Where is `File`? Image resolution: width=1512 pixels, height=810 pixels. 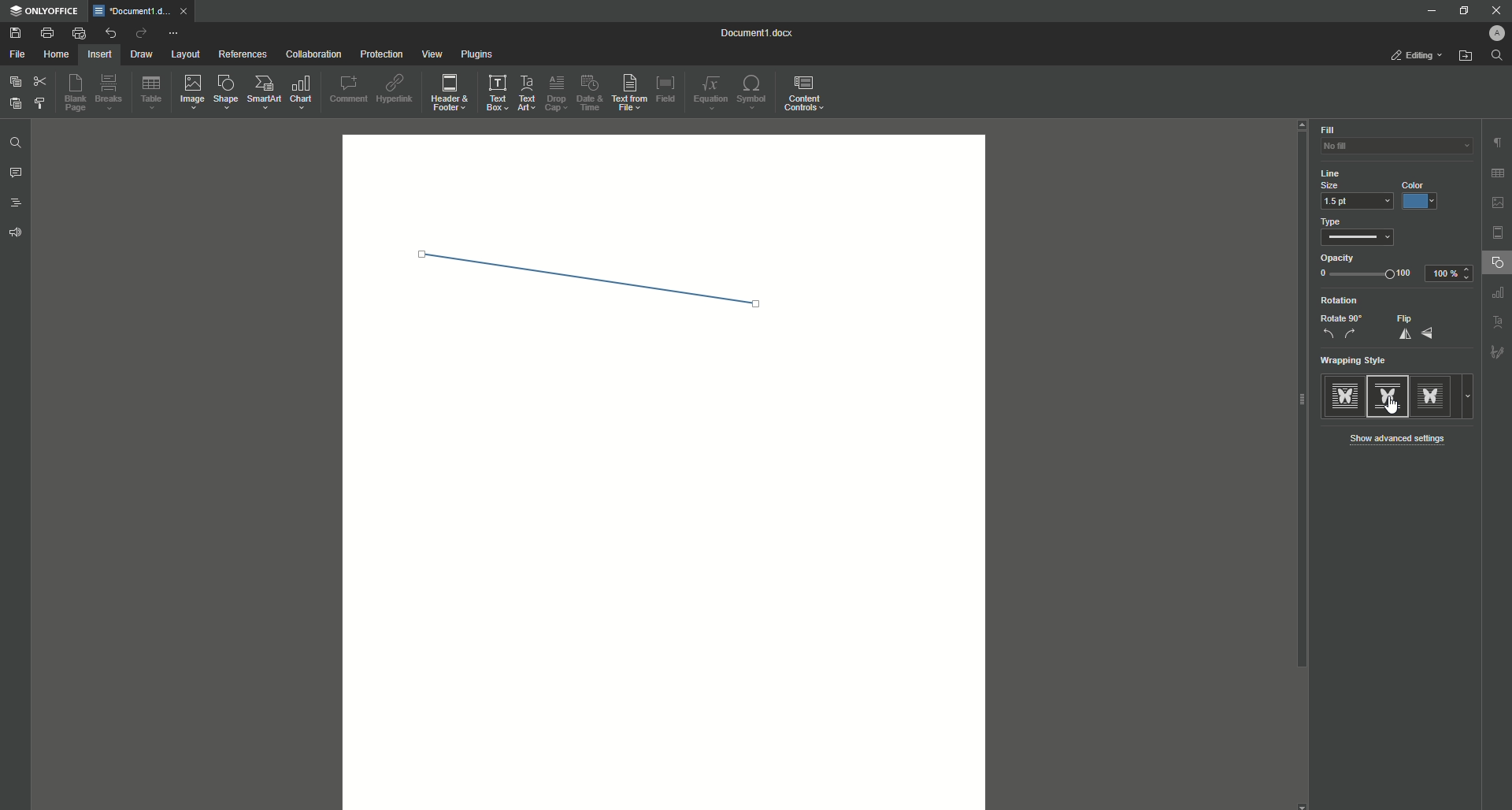 File is located at coordinates (18, 55).